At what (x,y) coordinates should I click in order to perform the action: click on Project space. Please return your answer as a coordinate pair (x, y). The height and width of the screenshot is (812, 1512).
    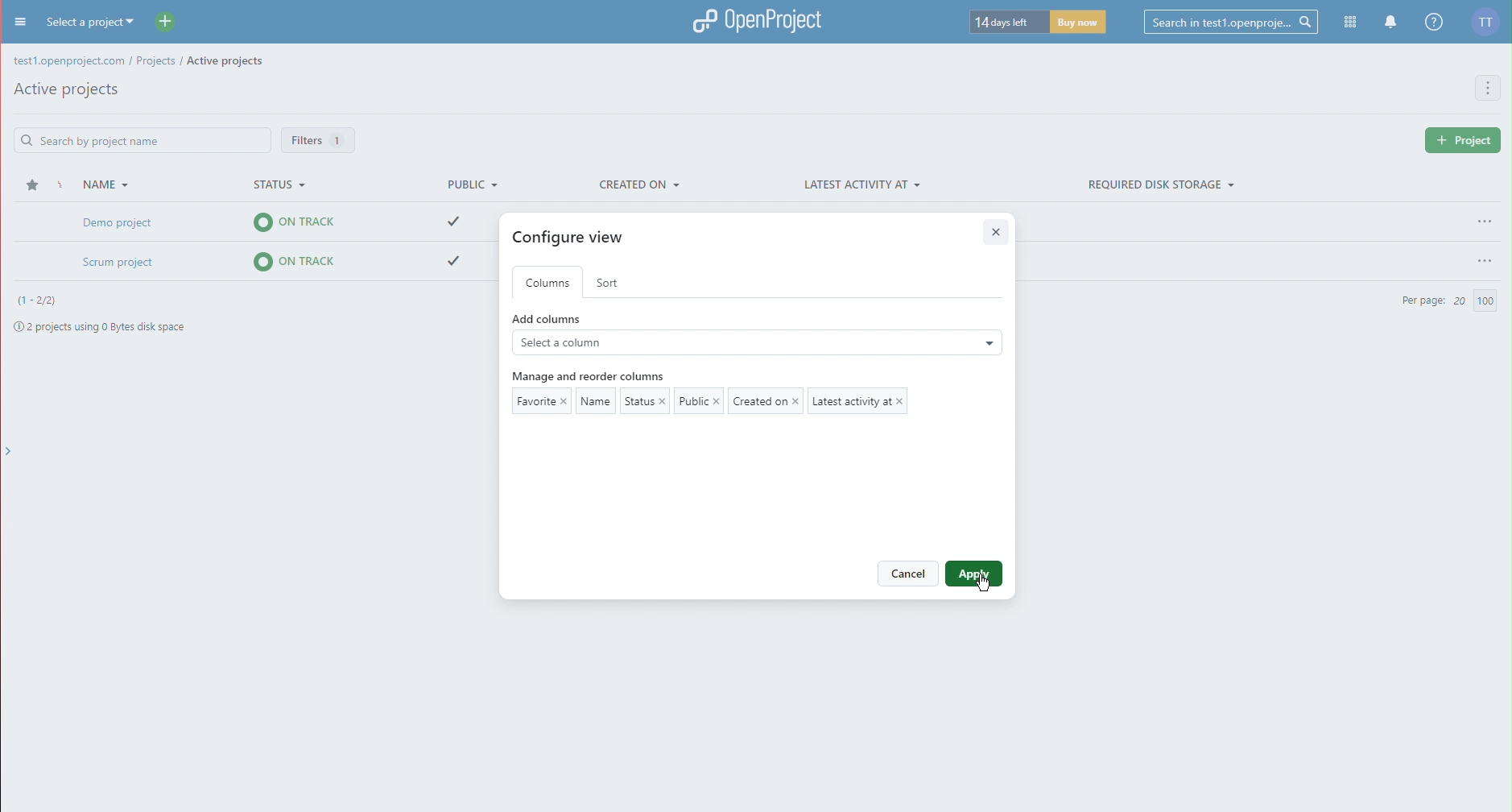
    Looking at the image, I should click on (116, 324).